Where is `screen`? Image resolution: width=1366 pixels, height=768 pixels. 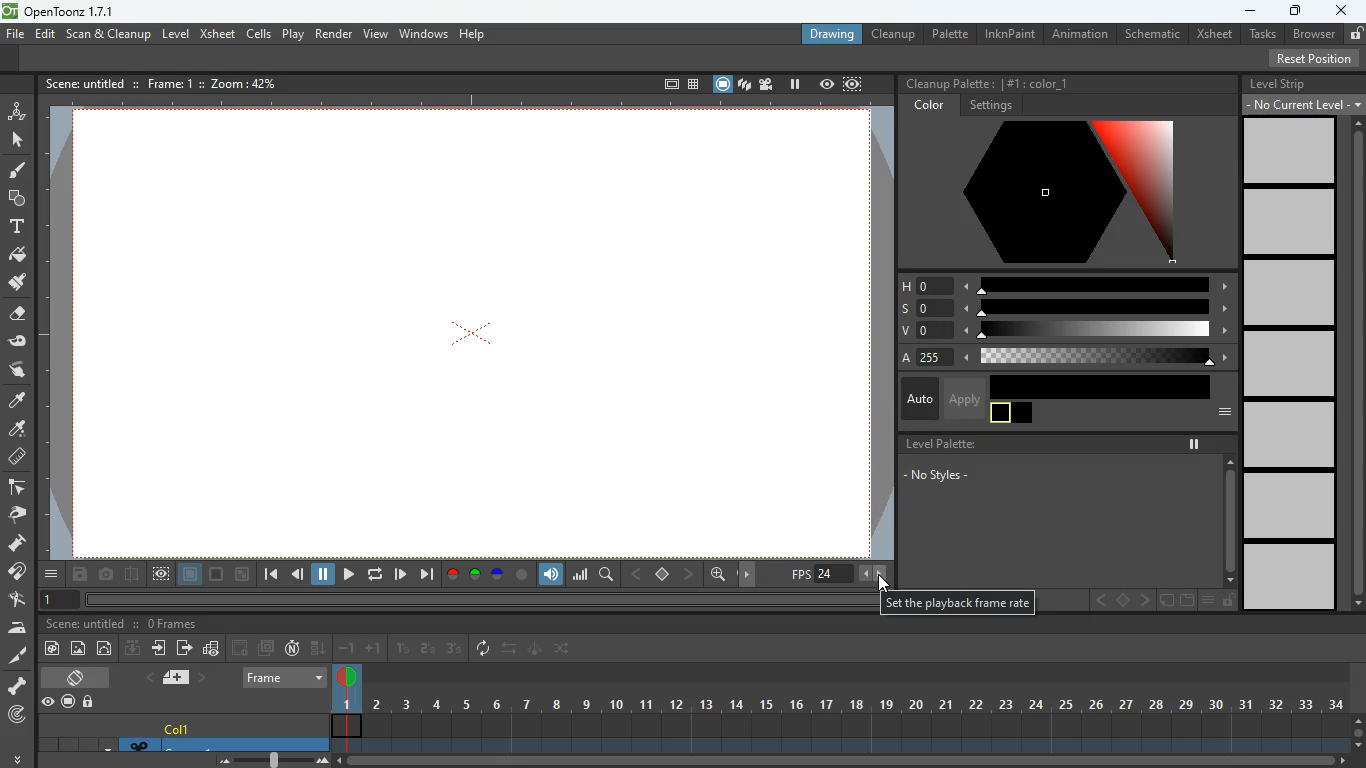 screen is located at coordinates (471, 332).